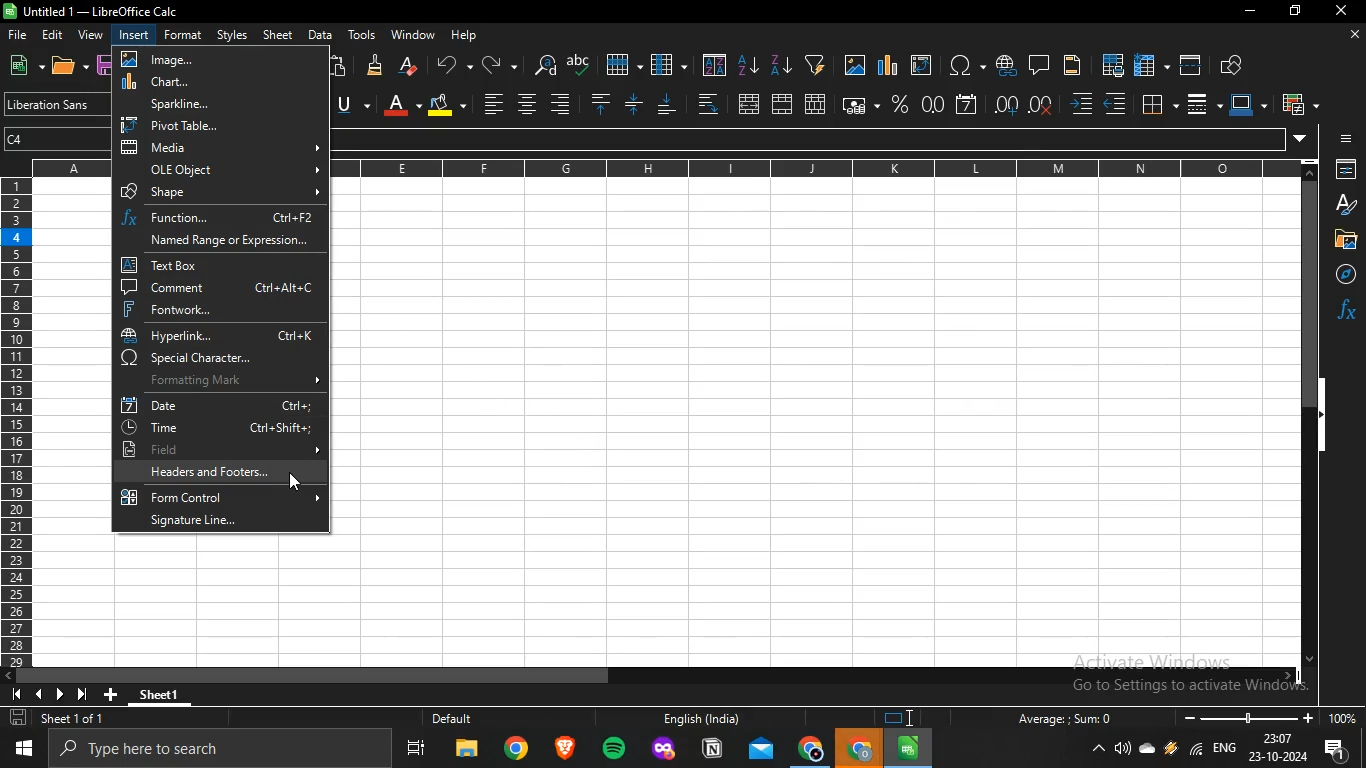  What do you see at coordinates (652, 676) in the screenshot?
I see `scrollbar` at bounding box center [652, 676].